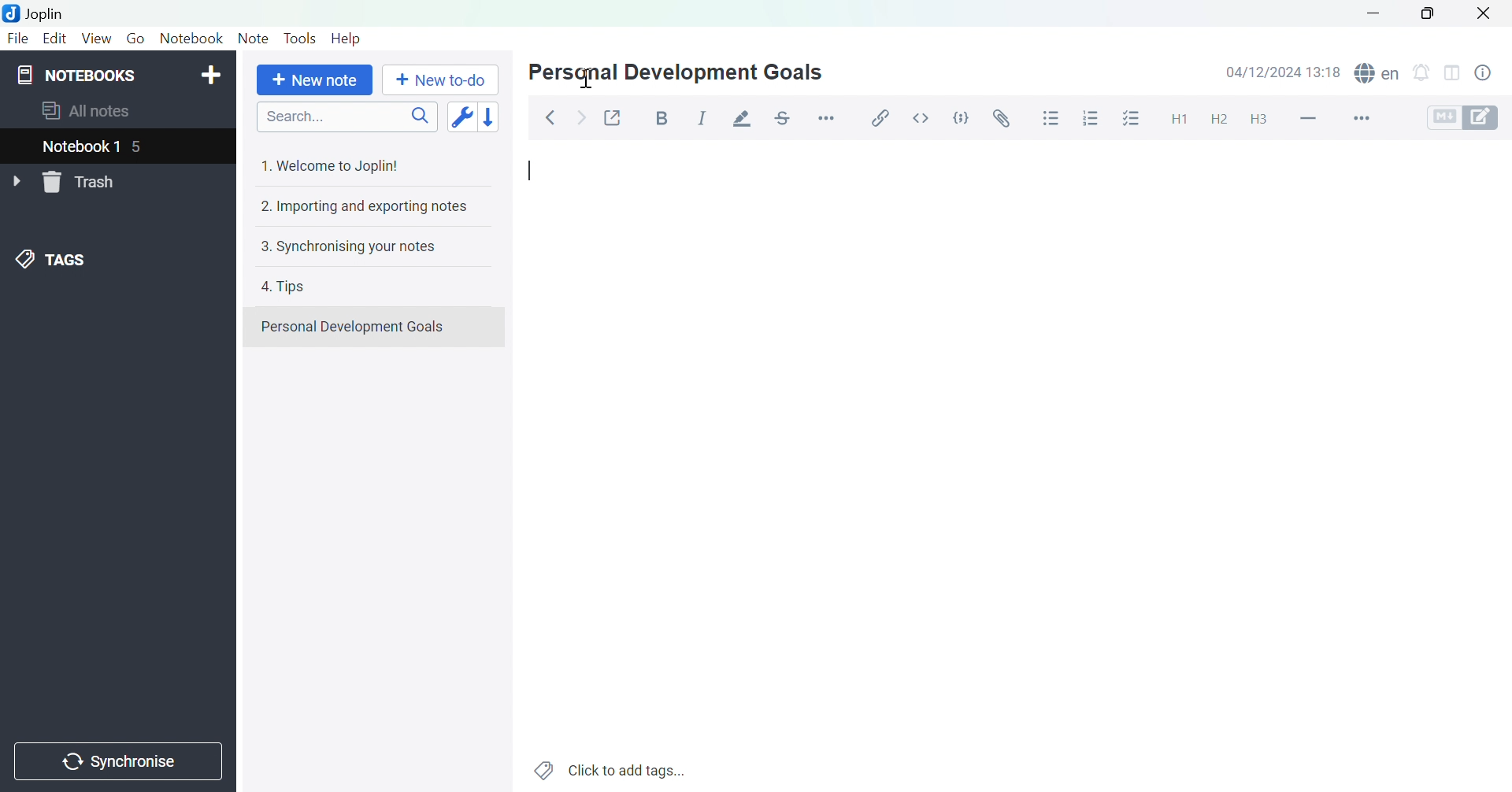  I want to click on New to-do, so click(440, 80).